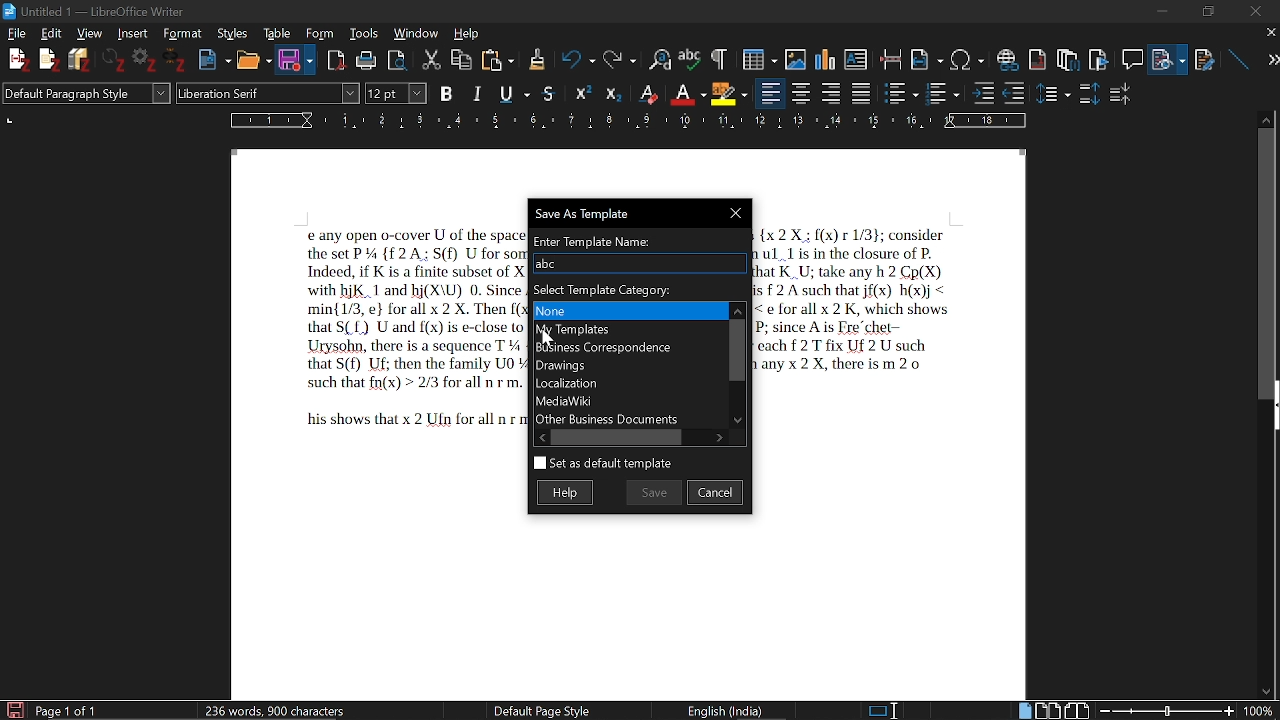 The width and height of the screenshot is (1280, 720). I want to click on Liberation Serif, so click(228, 95).